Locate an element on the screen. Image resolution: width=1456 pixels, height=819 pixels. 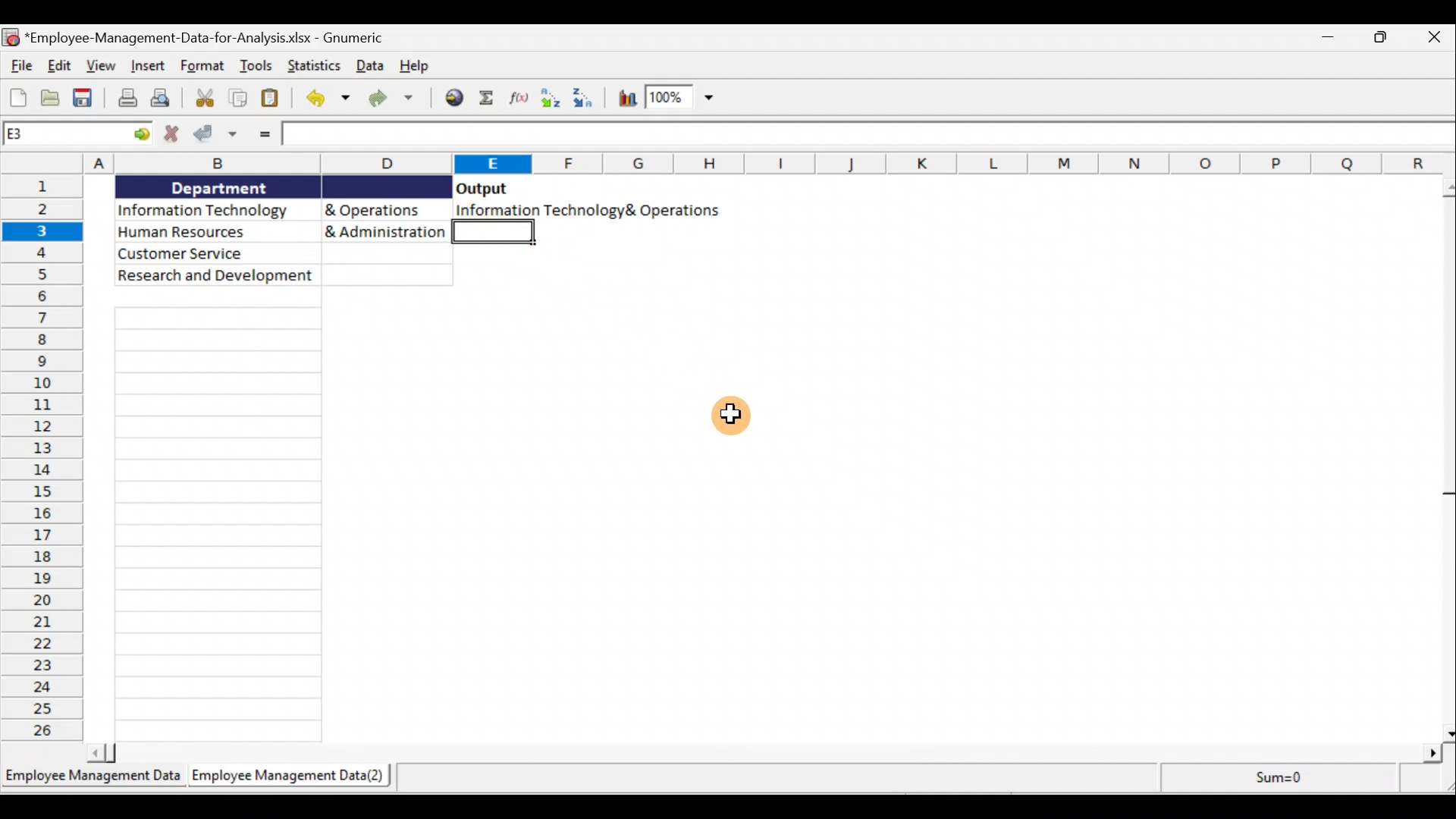
Cell allocation is located at coordinates (77, 133).